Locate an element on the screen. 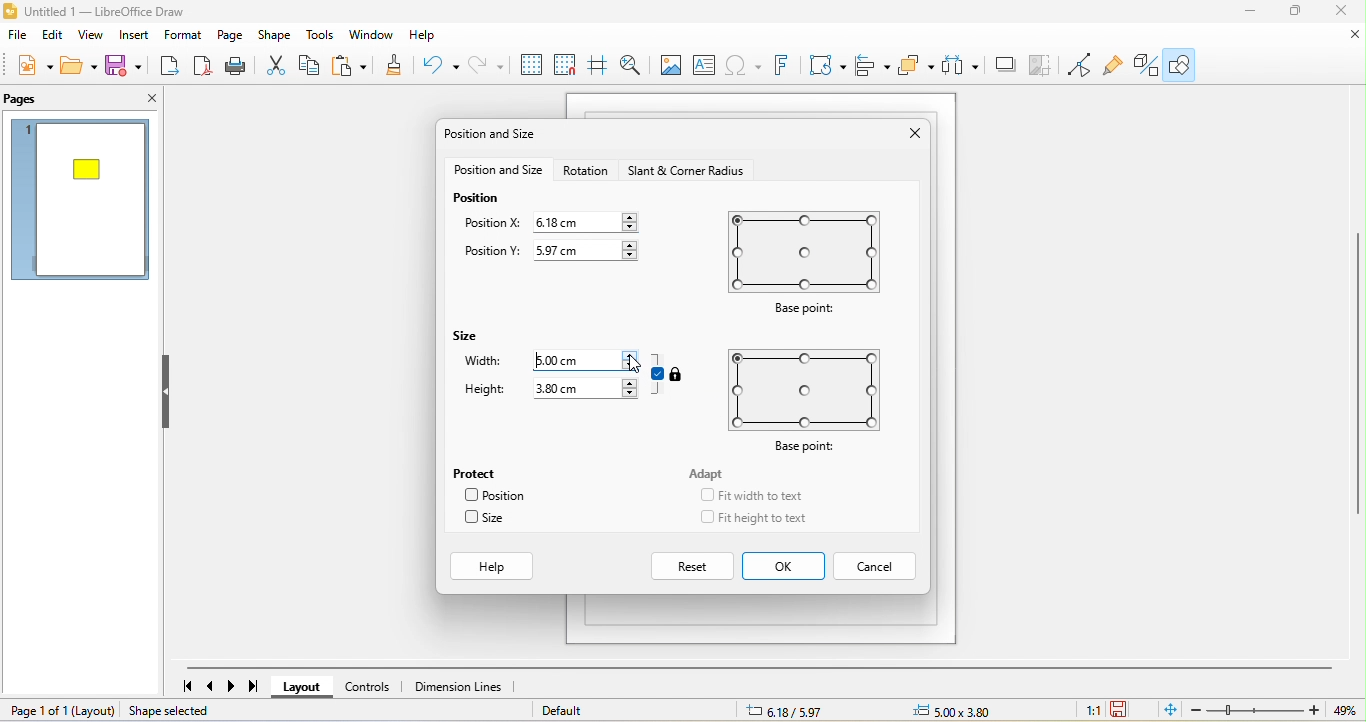 The height and width of the screenshot is (722, 1366). copy is located at coordinates (315, 64).